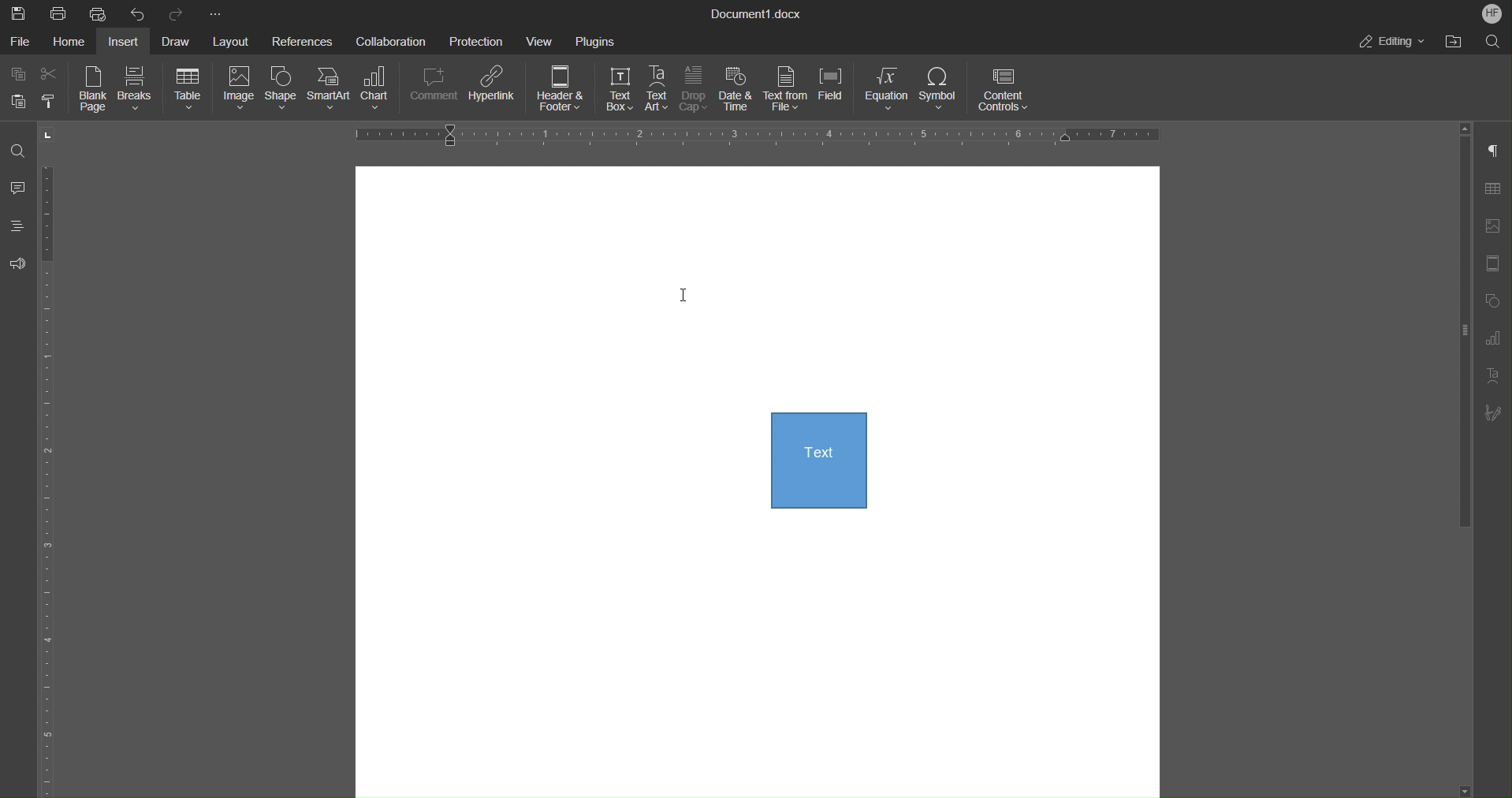 Image resolution: width=1512 pixels, height=798 pixels. Describe the element at coordinates (137, 91) in the screenshot. I see `Breaks` at that location.